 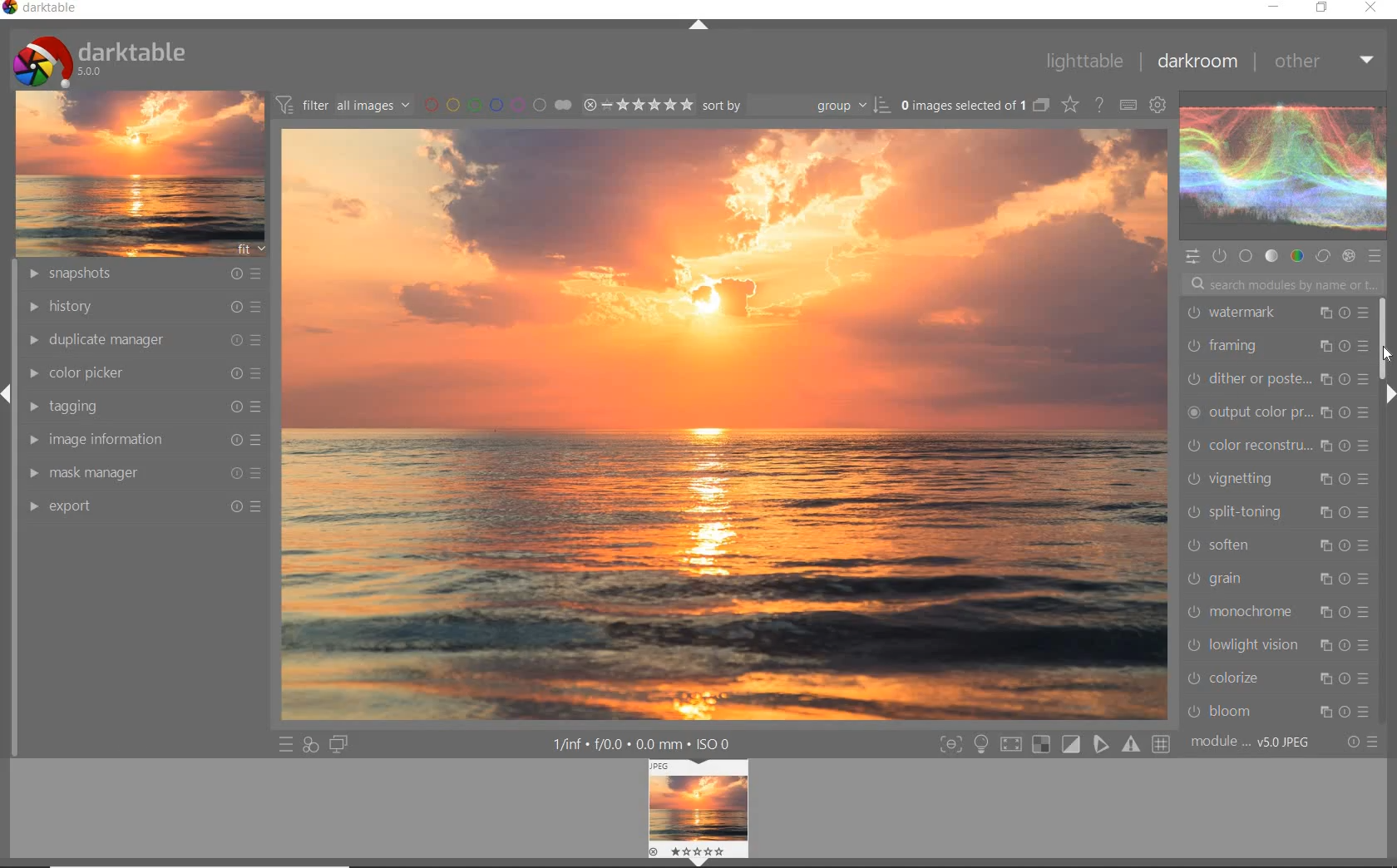 What do you see at coordinates (1277, 412) in the screenshot?
I see `OUTPUT COLOR PRESET` at bounding box center [1277, 412].